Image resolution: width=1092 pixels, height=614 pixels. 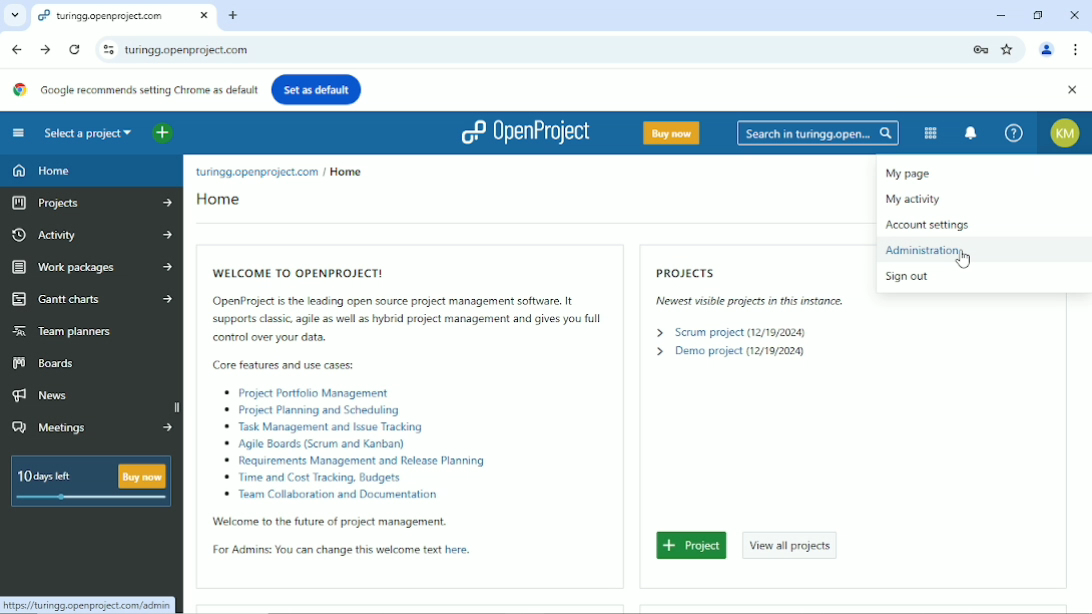 I want to click on > Demo project (12/19/2024), so click(x=727, y=352).